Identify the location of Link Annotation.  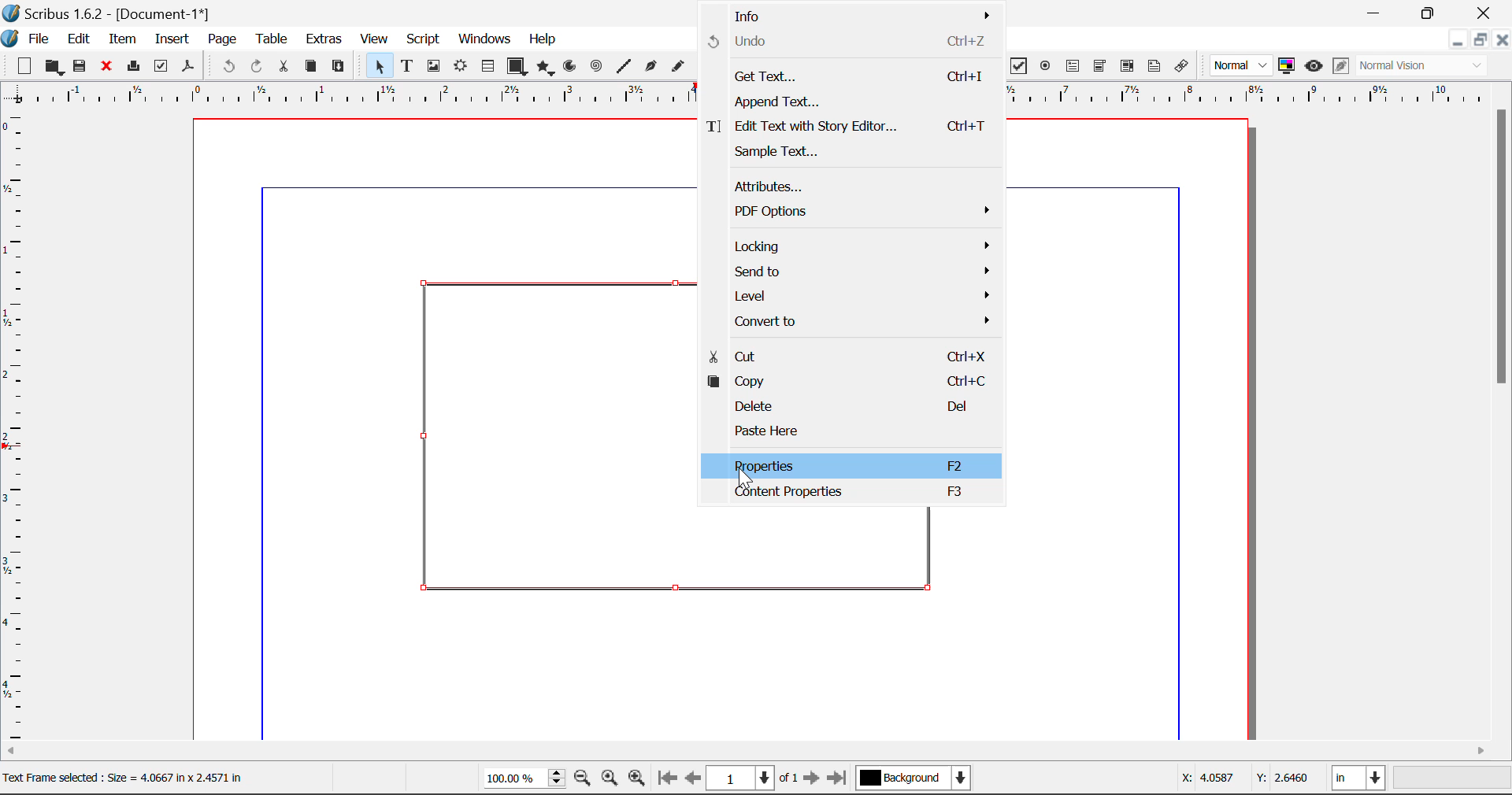
(1180, 66).